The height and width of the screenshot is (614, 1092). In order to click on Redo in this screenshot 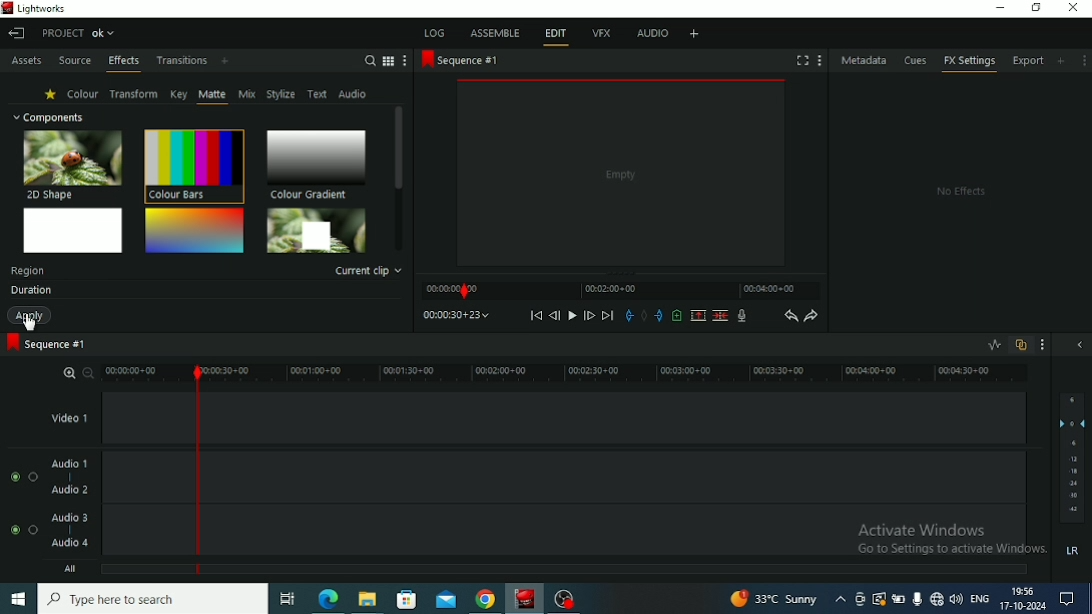, I will do `click(812, 315)`.